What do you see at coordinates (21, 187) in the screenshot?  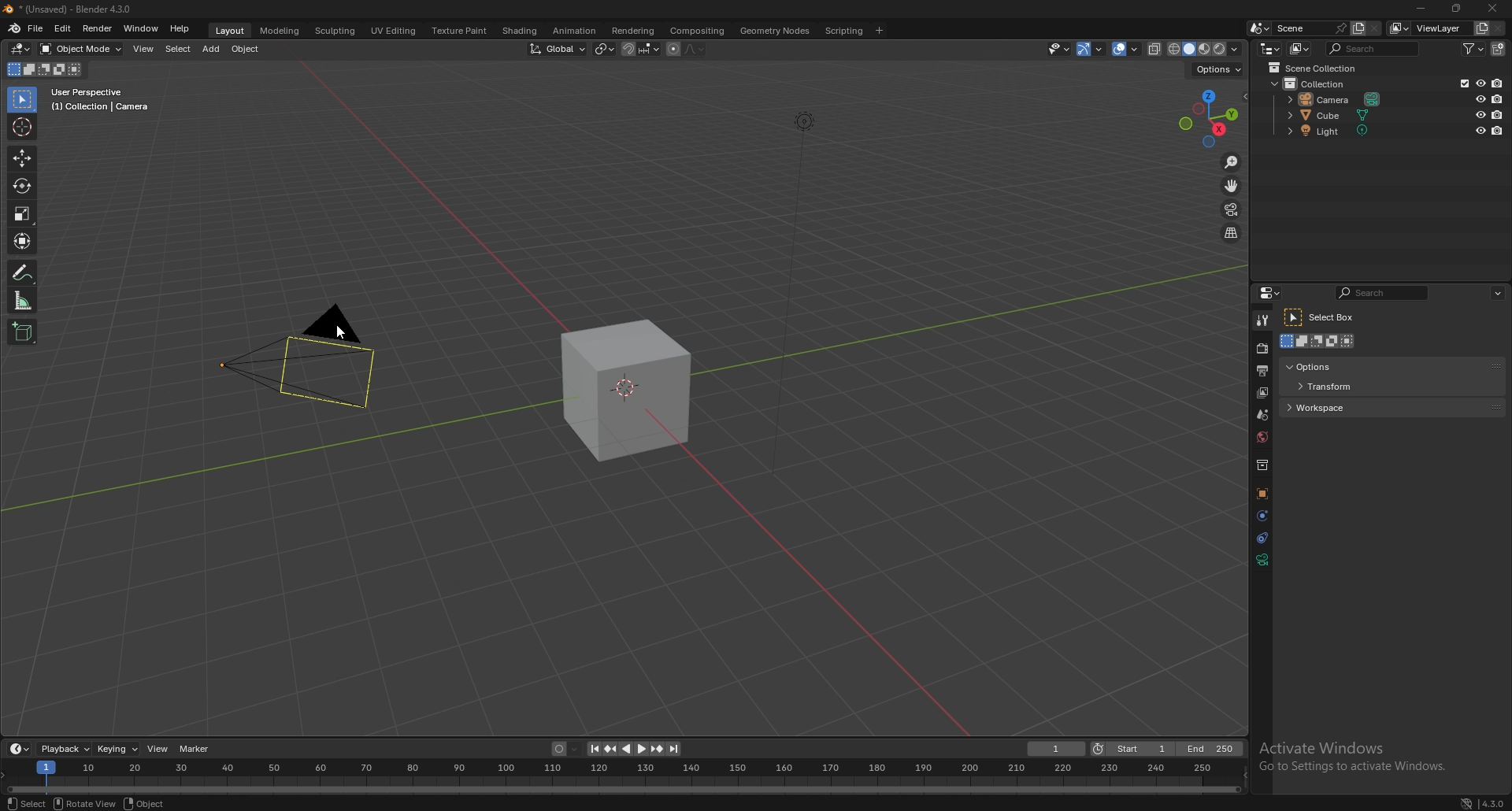 I see `rotate` at bounding box center [21, 187].